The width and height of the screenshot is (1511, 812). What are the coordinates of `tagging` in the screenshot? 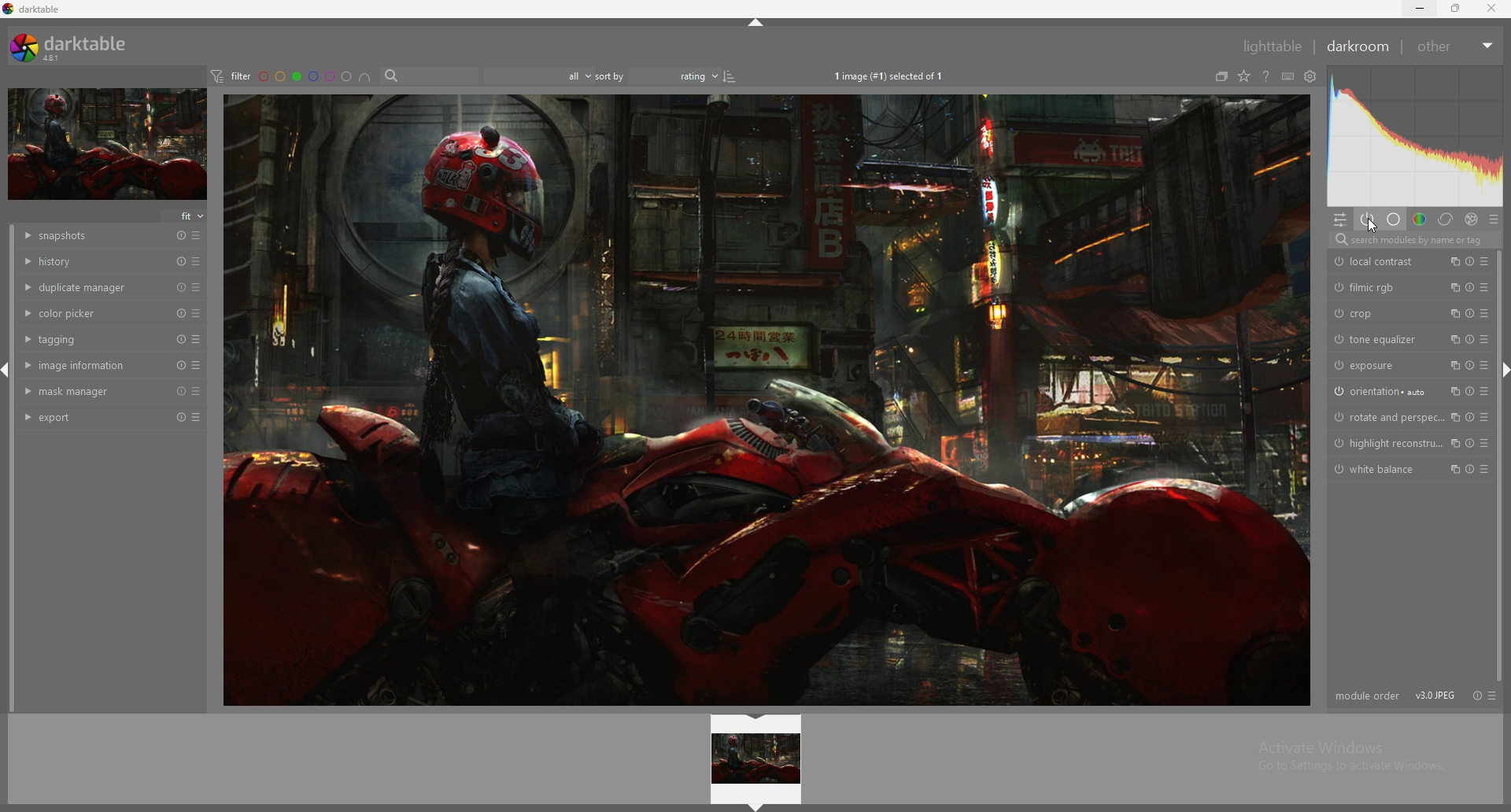 It's located at (93, 339).